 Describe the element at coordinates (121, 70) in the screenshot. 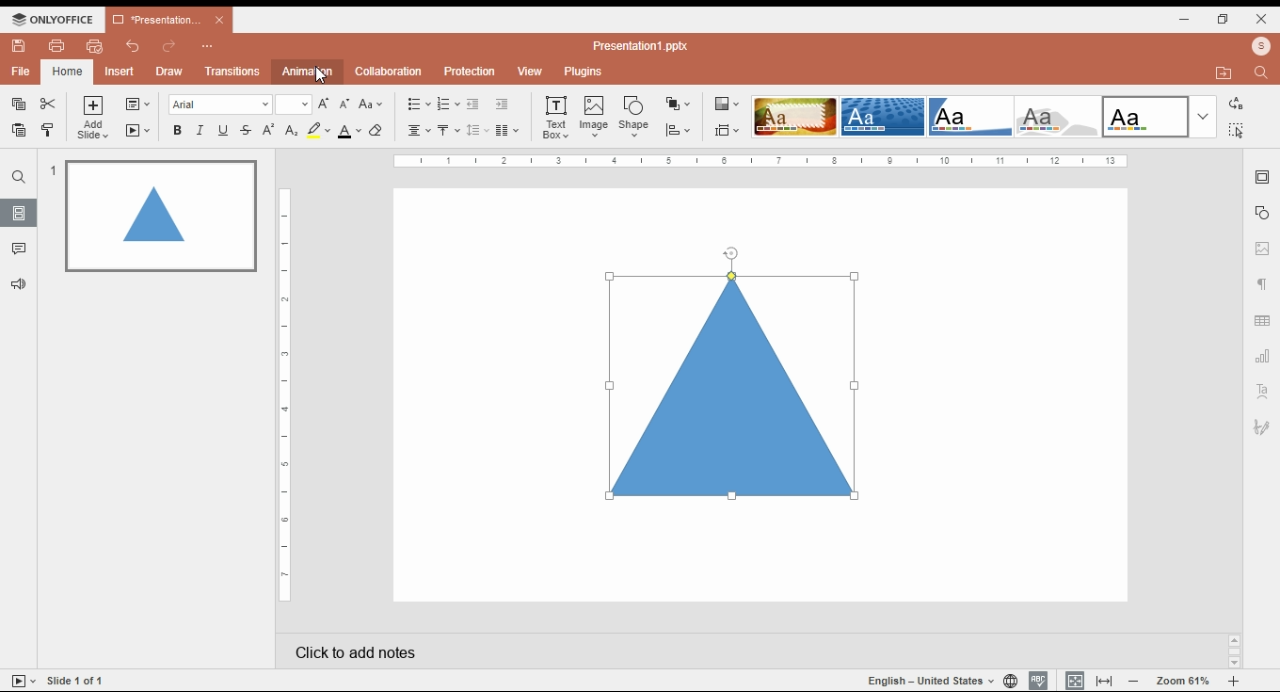

I see `insert` at that location.